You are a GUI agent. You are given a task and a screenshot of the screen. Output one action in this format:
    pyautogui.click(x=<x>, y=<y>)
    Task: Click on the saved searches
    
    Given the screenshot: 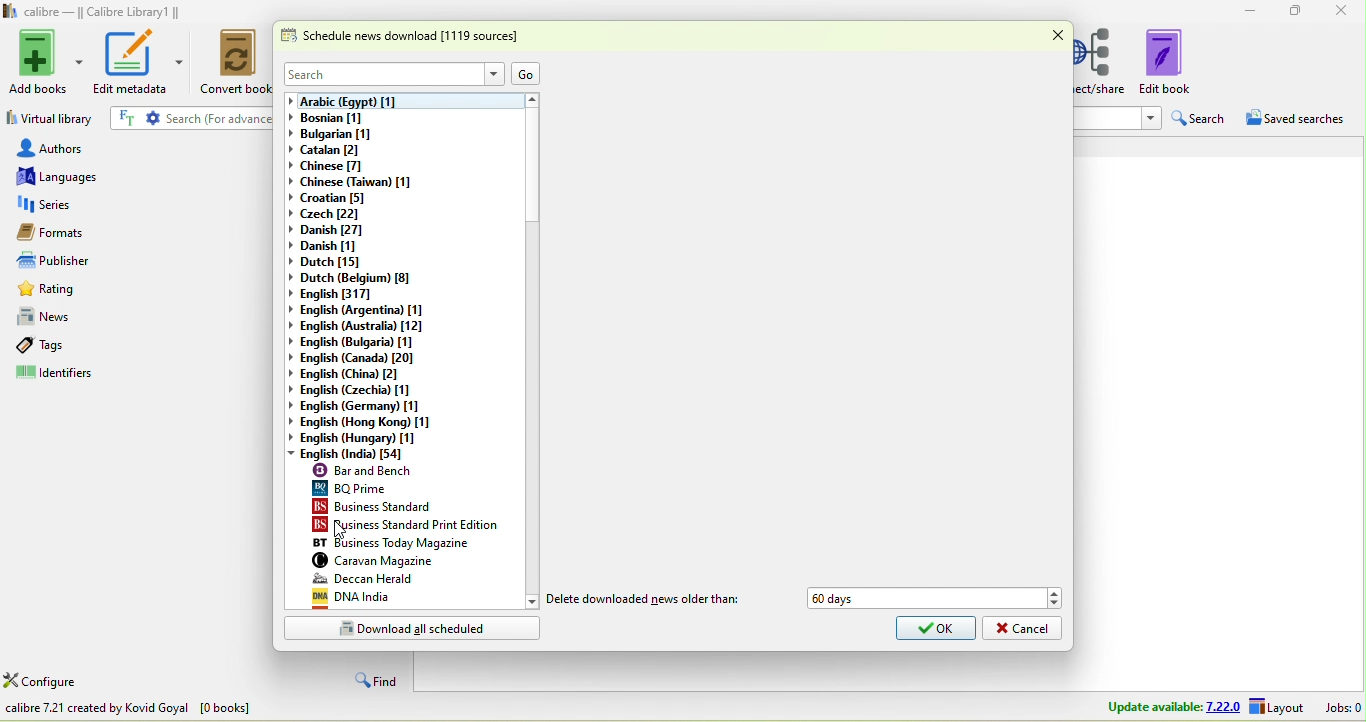 What is the action you would take?
    pyautogui.click(x=1296, y=118)
    